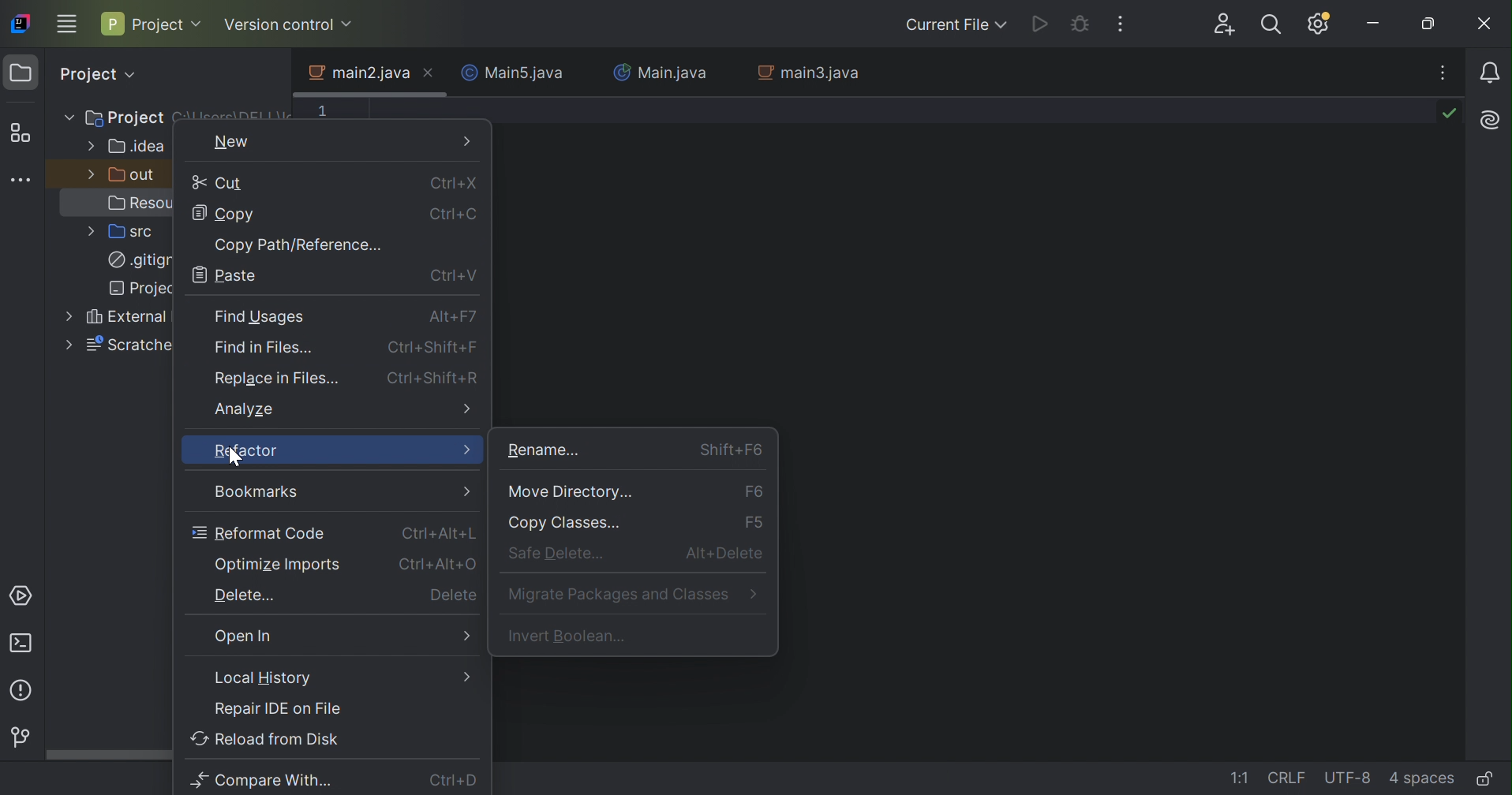  What do you see at coordinates (434, 381) in the screenshot?
I see `Ctrl+Shift+R` at bounding box center [434, 381].